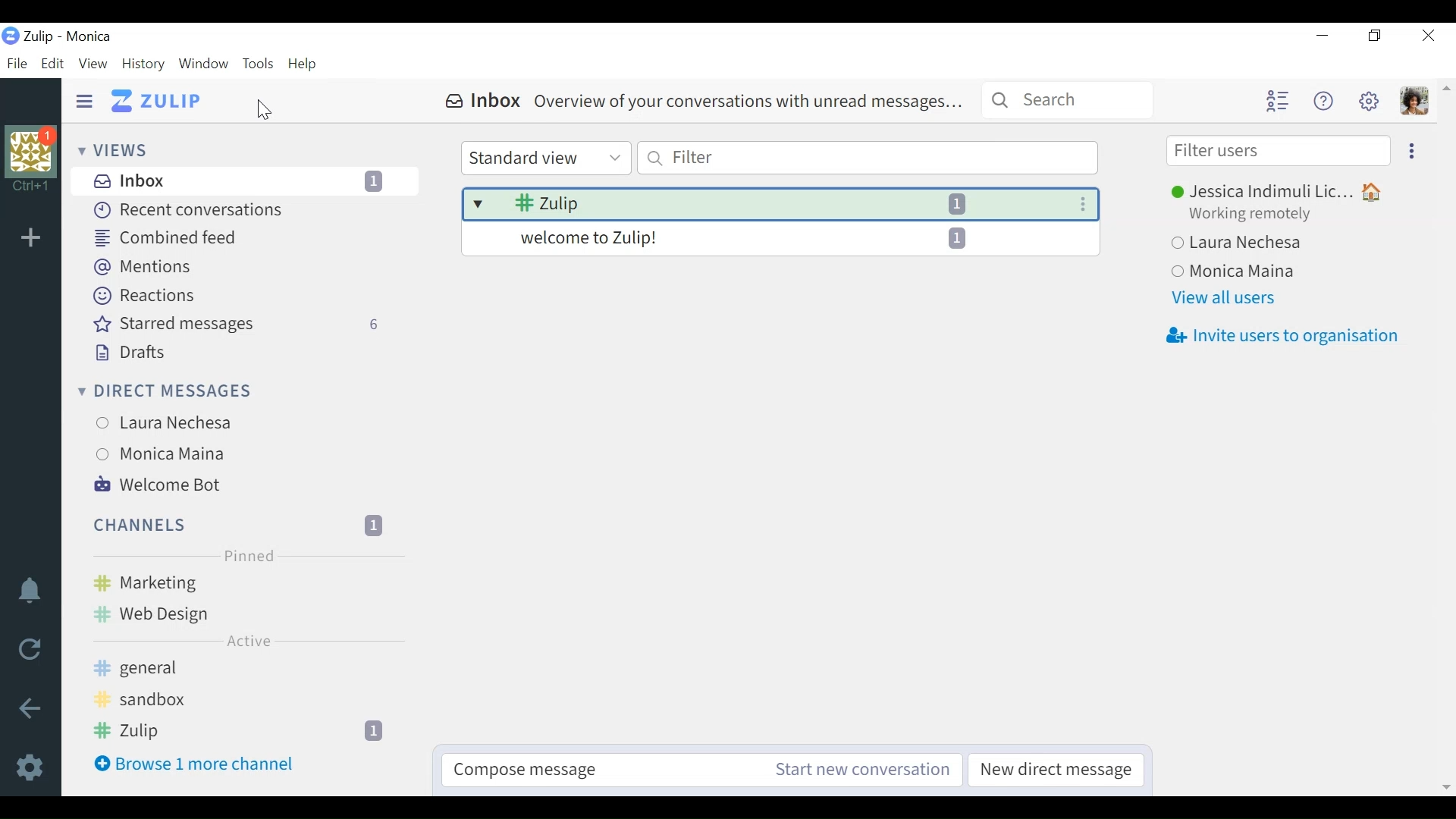 The image size is (1456, 819). What do you see at coordinates (782, 221) in the screenshot?
I see `Overview of your conversations with unread messages` at bounding box center [782, 221].